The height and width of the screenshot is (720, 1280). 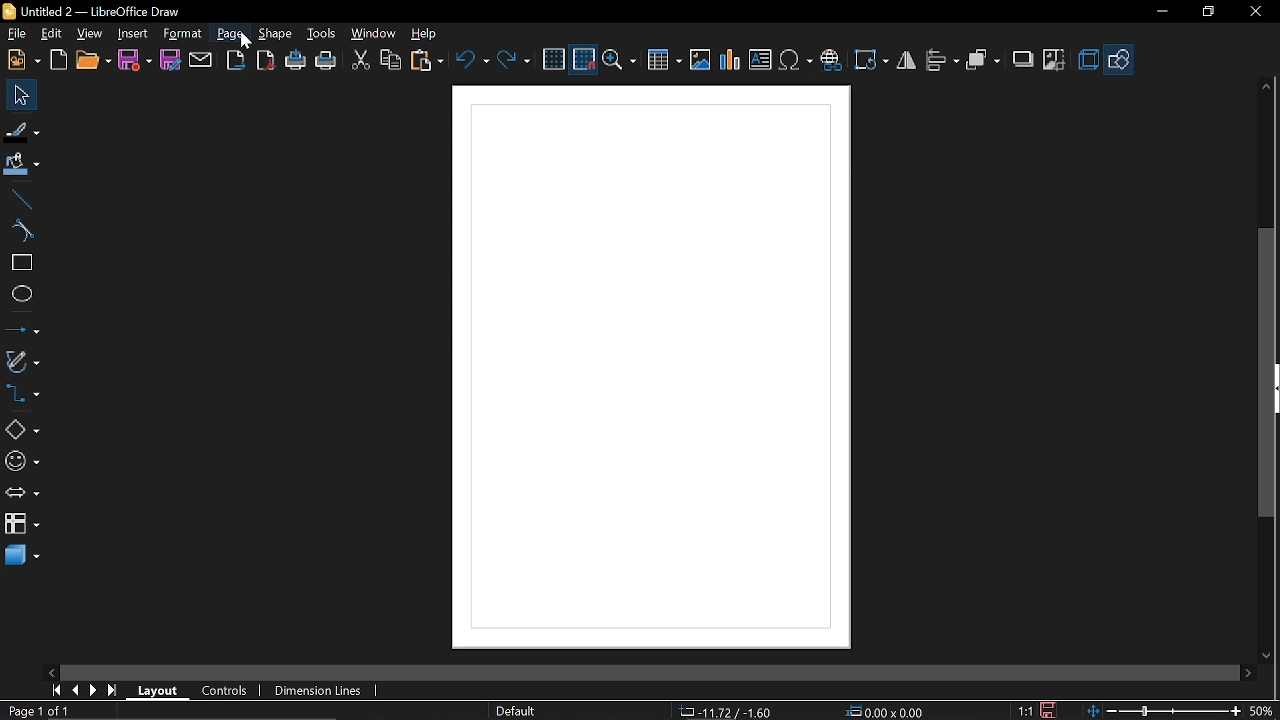 I want to click on Insert hyprelink, so click(x=831, y=61).